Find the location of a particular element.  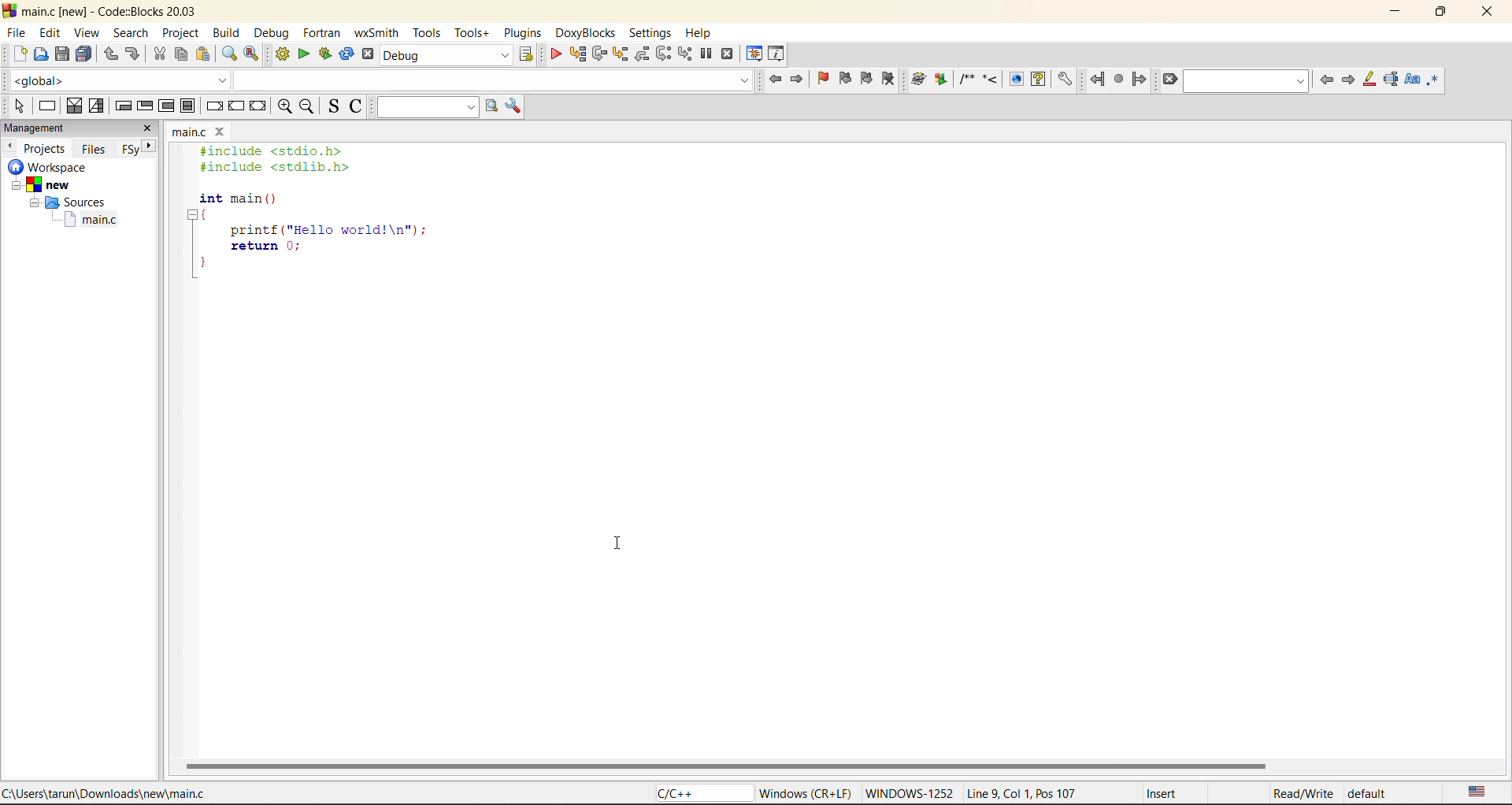

highlight is located at coordinates (1369, 80).